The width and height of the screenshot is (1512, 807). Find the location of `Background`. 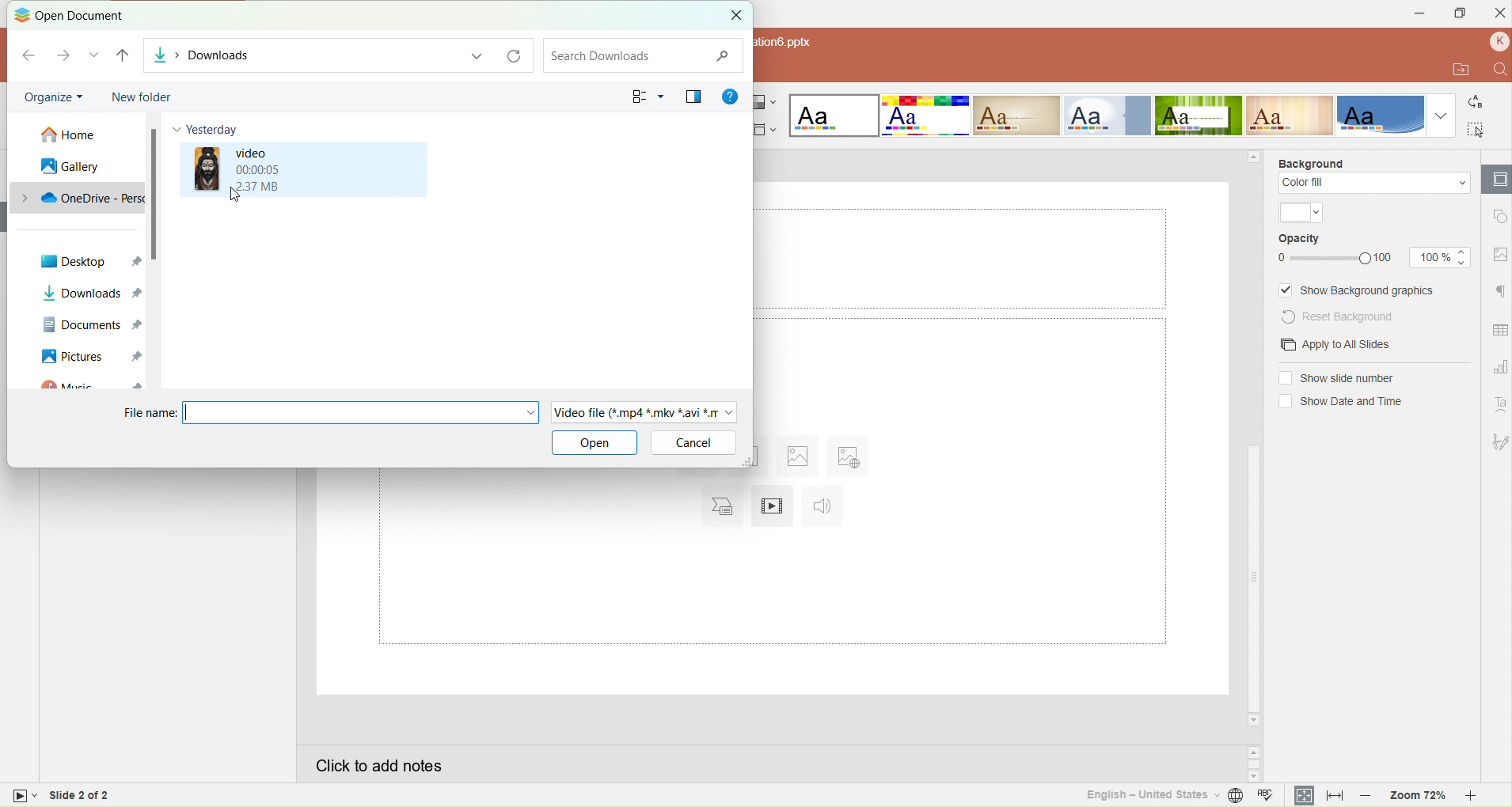

Background is located at coordinates (1315, 163).